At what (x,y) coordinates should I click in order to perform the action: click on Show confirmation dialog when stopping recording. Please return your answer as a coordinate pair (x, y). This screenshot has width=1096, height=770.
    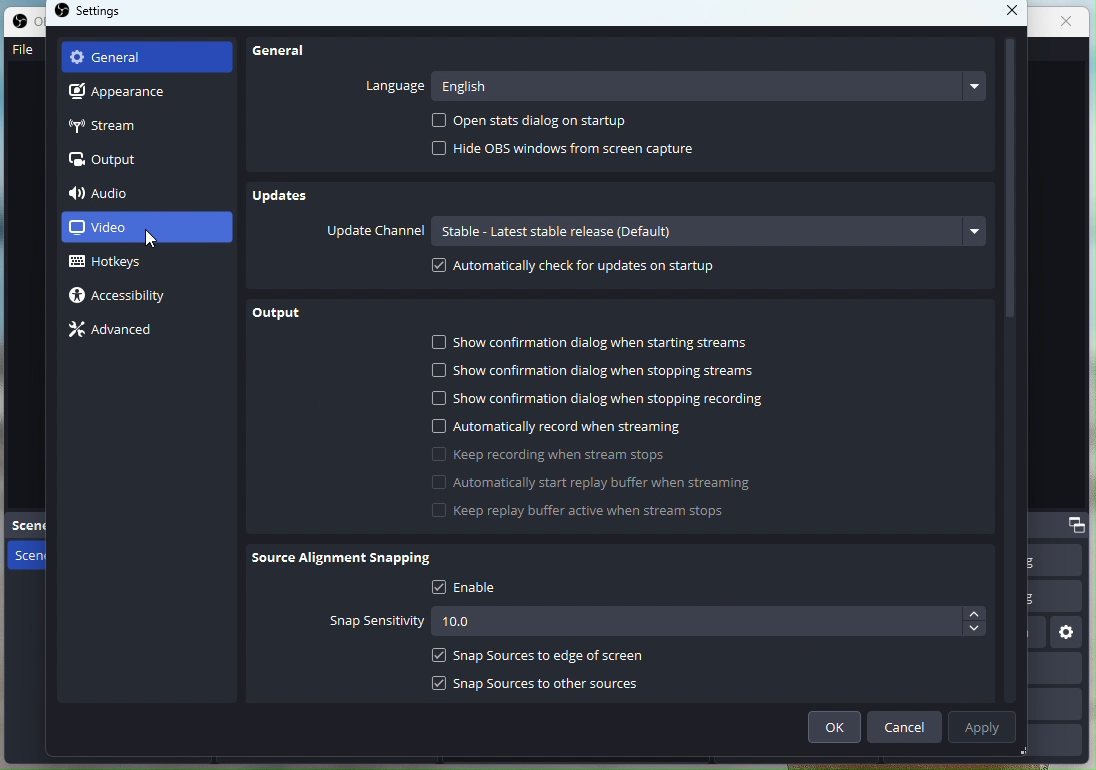
    Looking at the image, I should click on (600, 399).